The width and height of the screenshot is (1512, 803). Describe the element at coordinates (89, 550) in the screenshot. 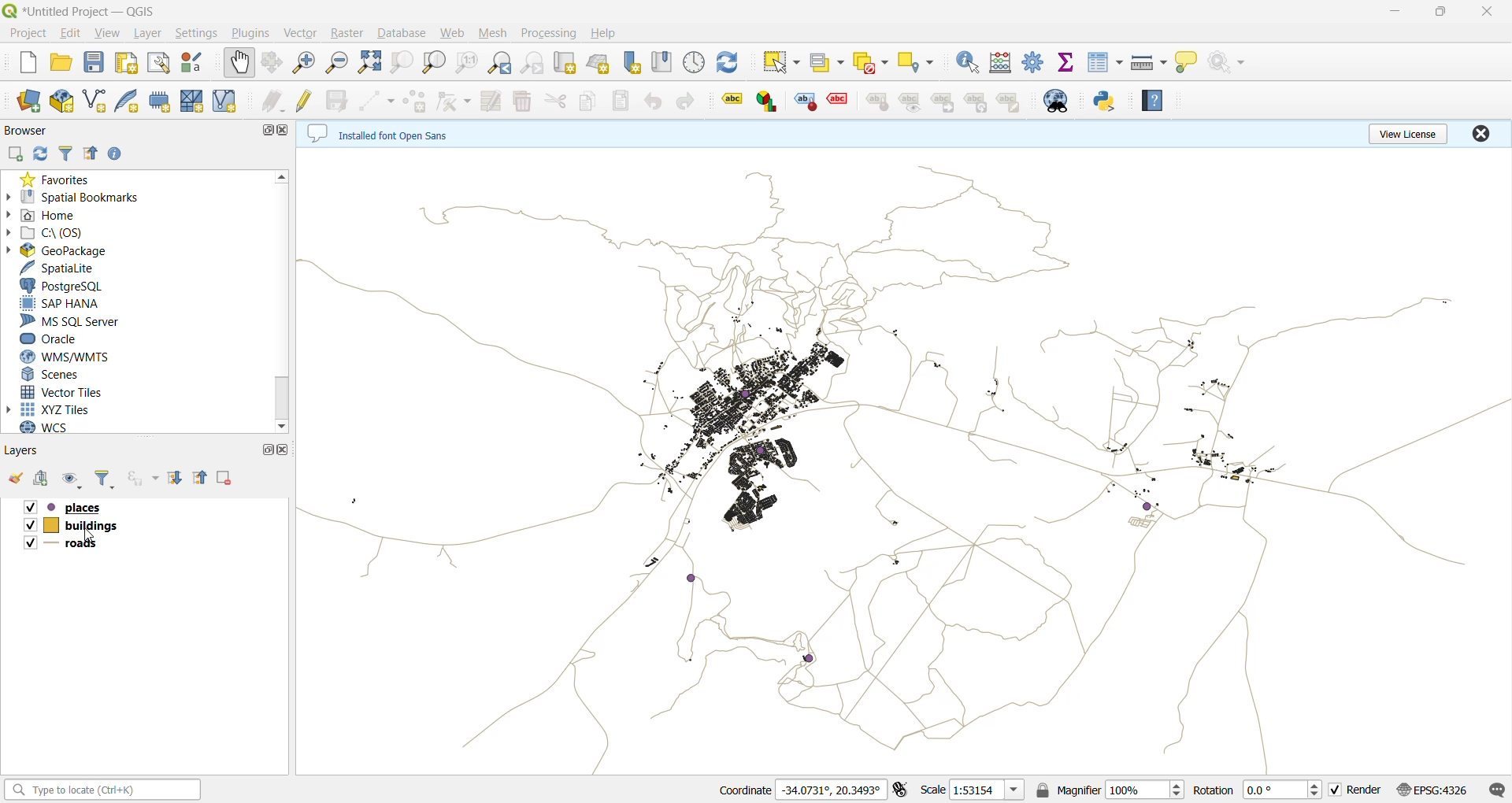

I see `roads` at that location.